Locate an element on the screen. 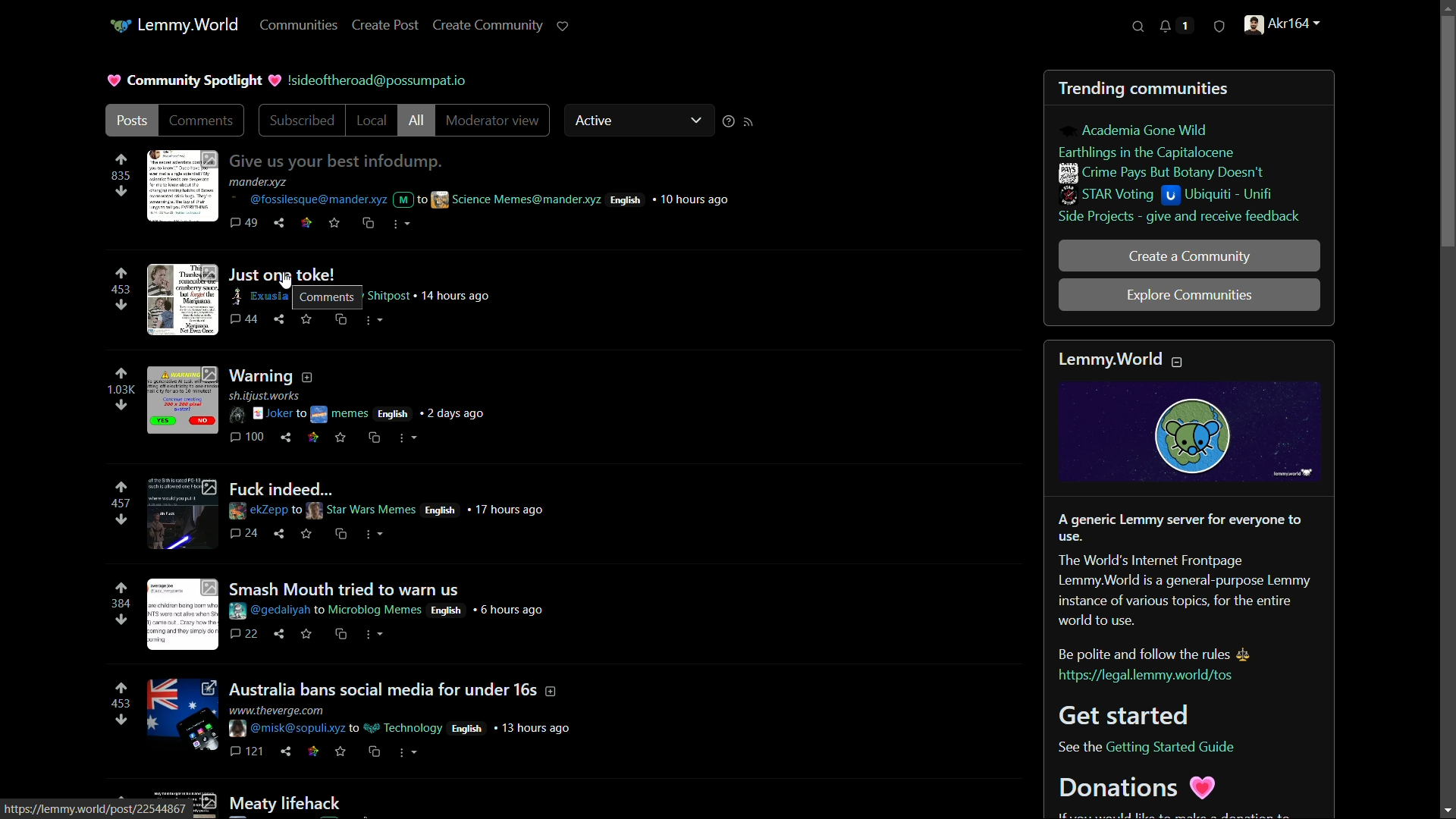 The image size is (1456, 819). posts is located at coordinates (133, 121).